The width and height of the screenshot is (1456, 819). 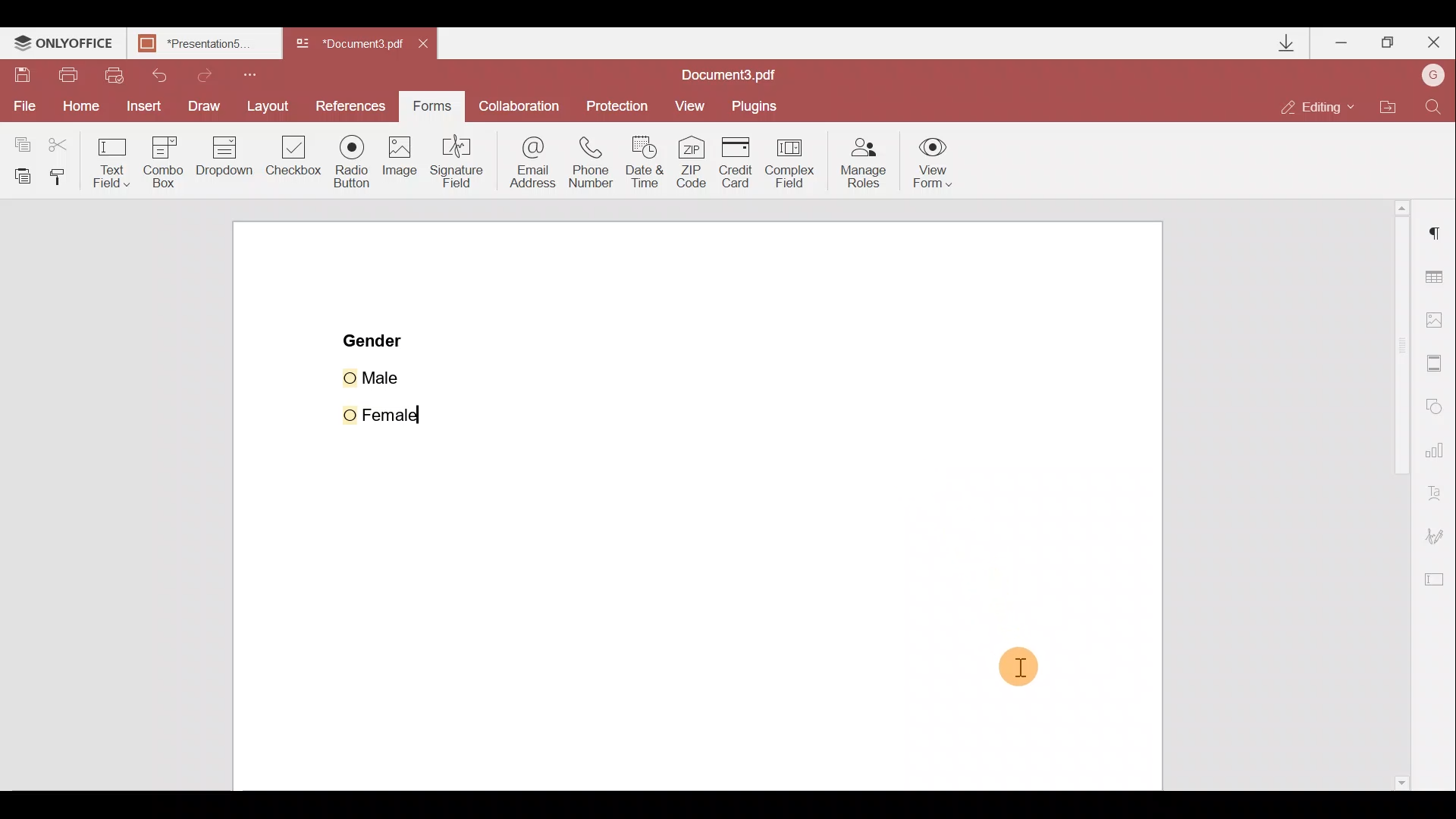 What do you see at coordinates (697, 104) in the screenshot?
I see `View` at bounding box center [697, 104].